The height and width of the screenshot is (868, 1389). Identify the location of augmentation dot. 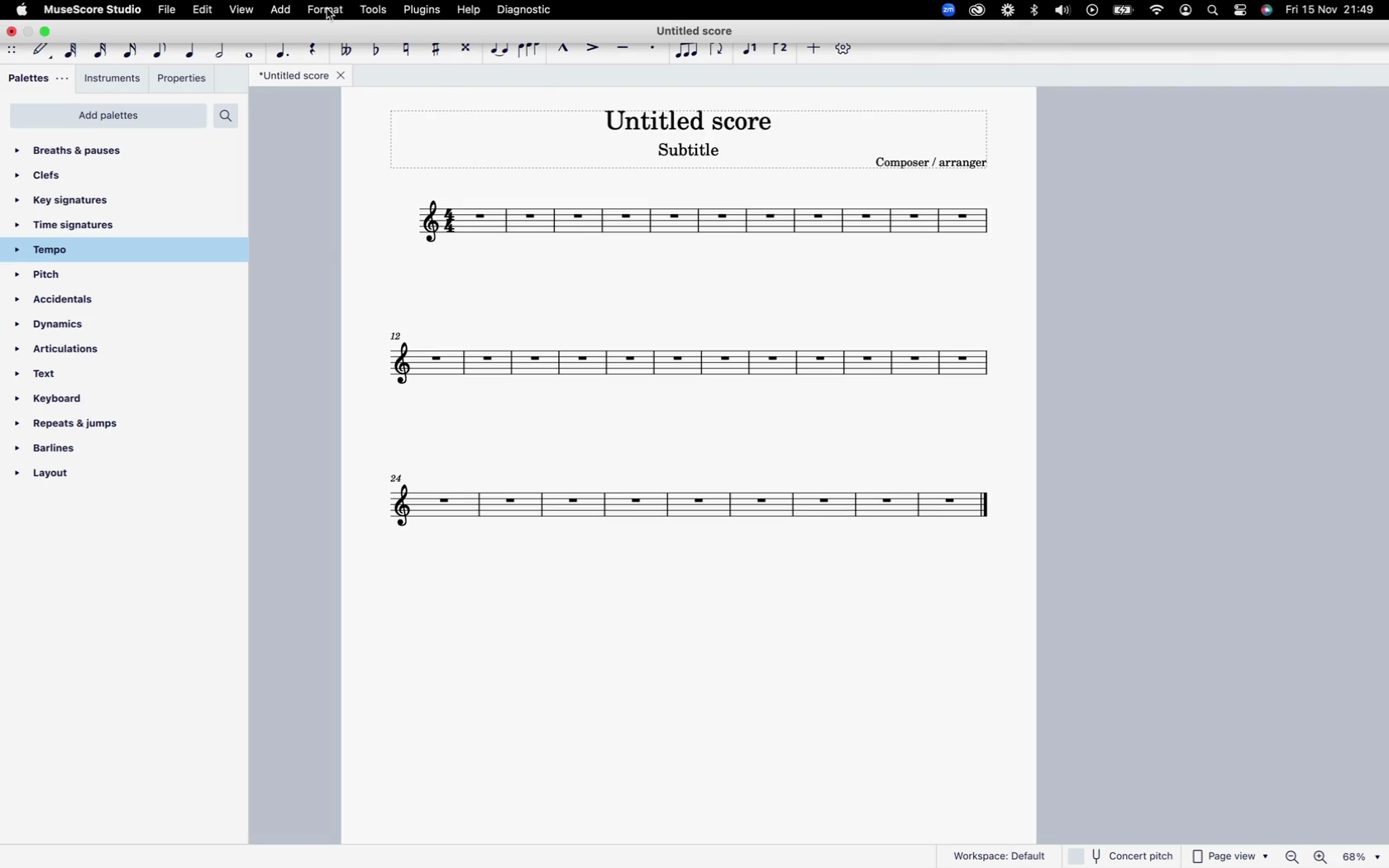
(285, 49).